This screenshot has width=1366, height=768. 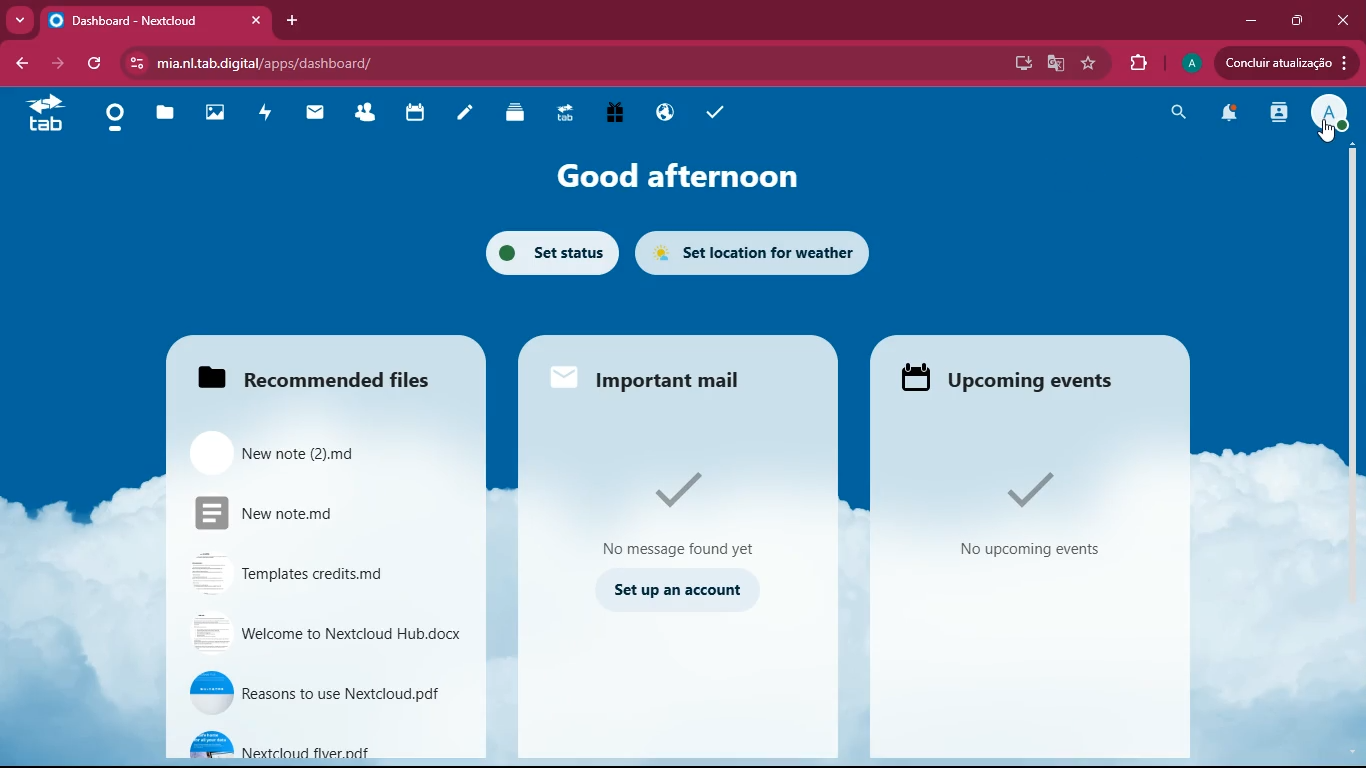 What do you see at coordinates (319, 745) in the screenshot?
I see `Nextcloud flyer.pdf` at bounding box center [319, 745].